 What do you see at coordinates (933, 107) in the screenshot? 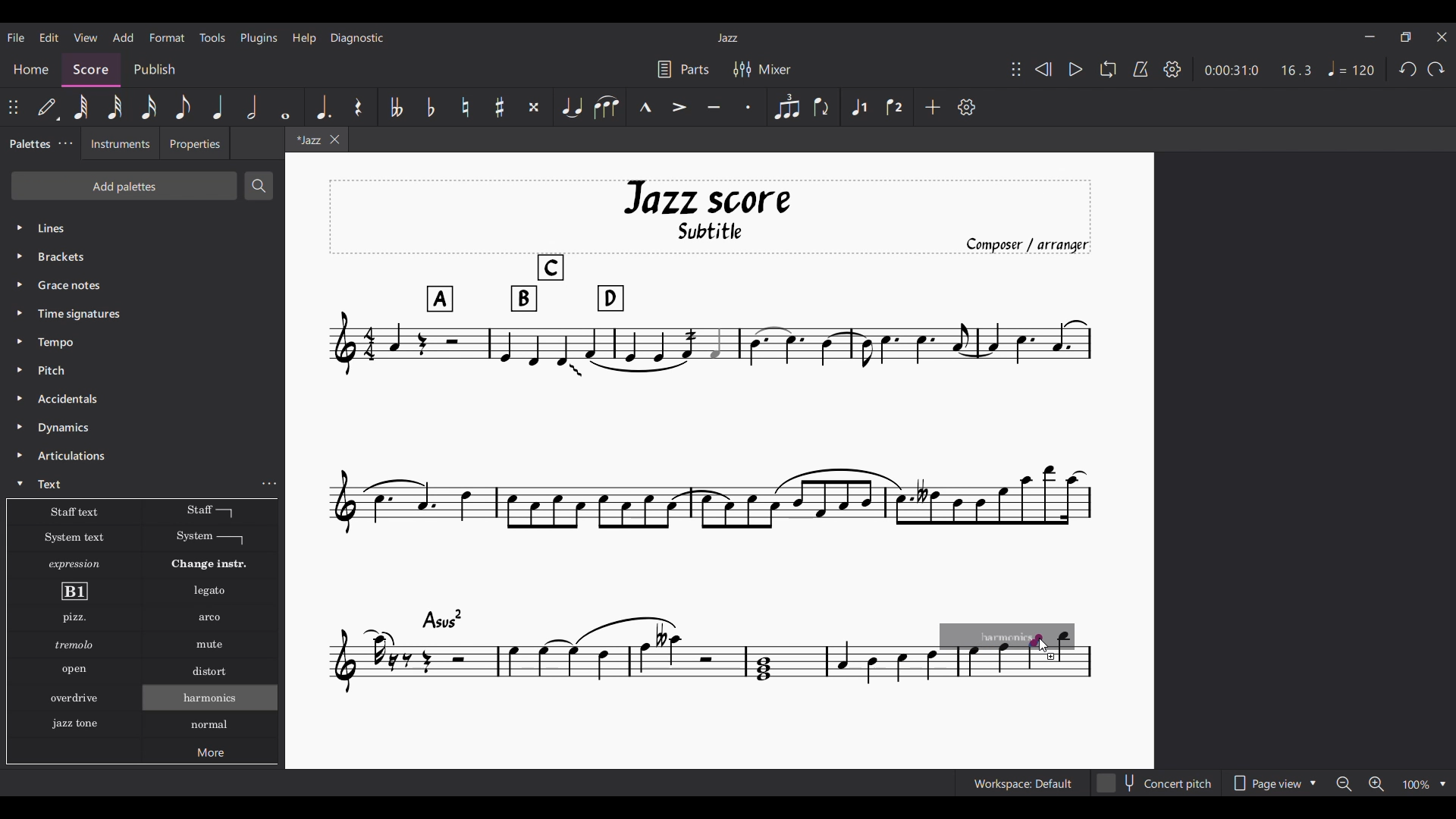
I see `Add` at bounding box center [933, 107].